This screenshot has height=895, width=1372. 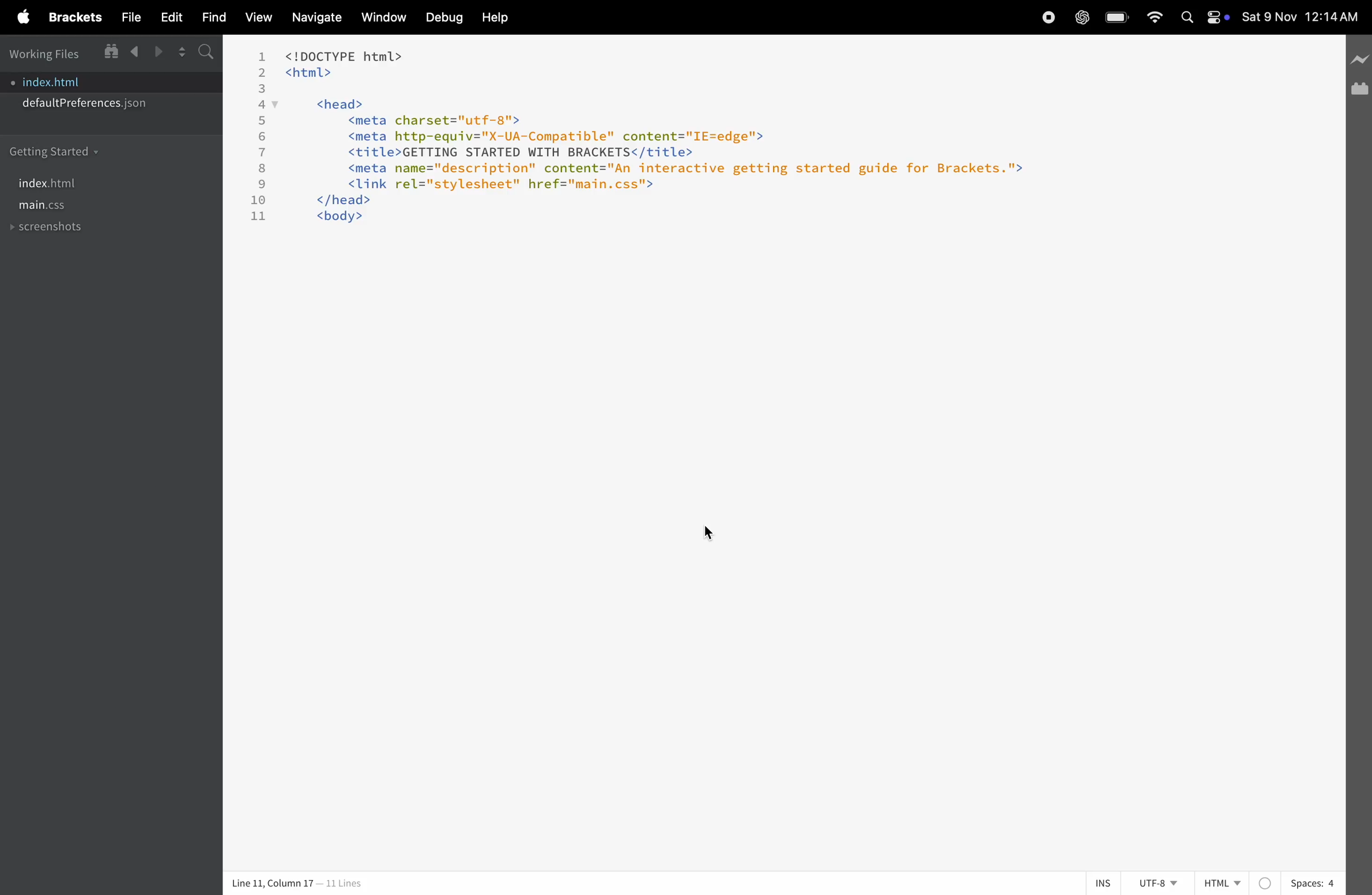 What do you see at coordinates (135, 51) in the screenshot?
I see `backward` at bounding box center [135, 51].